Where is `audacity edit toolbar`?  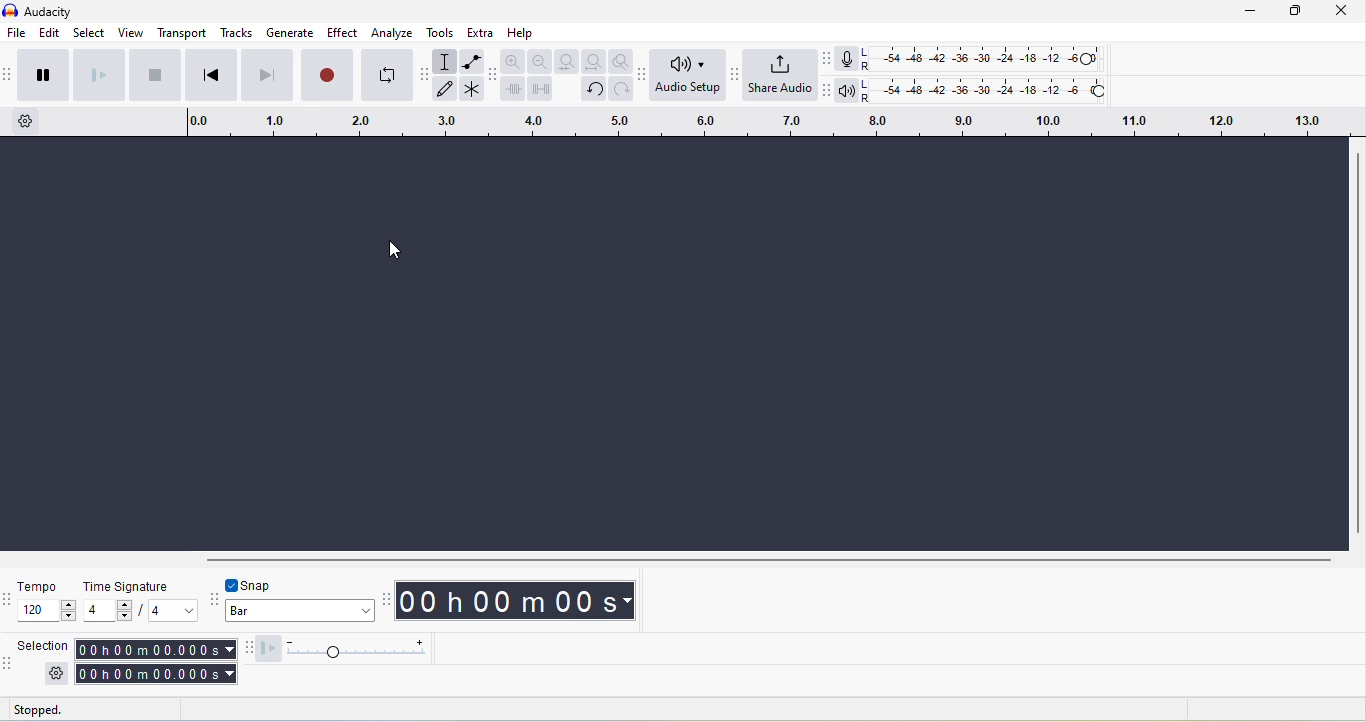
audacity edit toolbar is located at coordinates (494, 75).